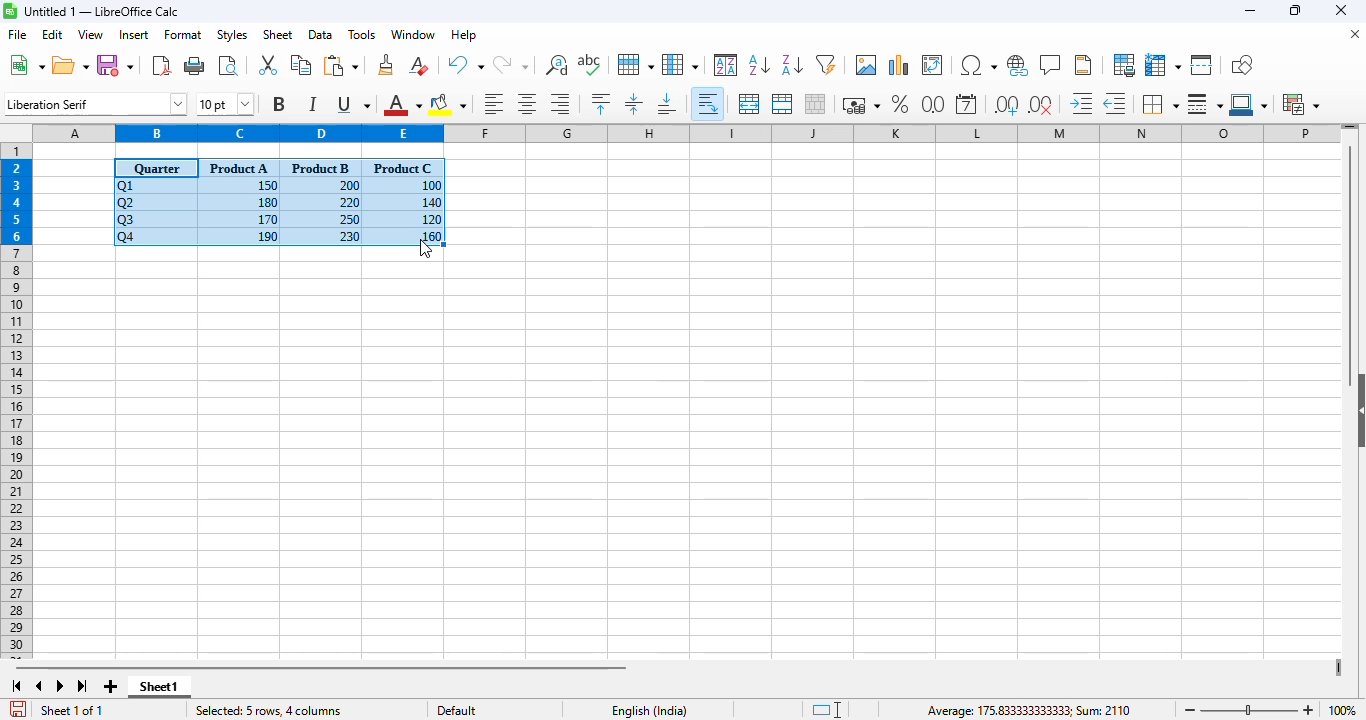  What do you see at coordinates (1241, 64) in the screenshot?
I see `show draw functions` at bounding box center [1241, 64].